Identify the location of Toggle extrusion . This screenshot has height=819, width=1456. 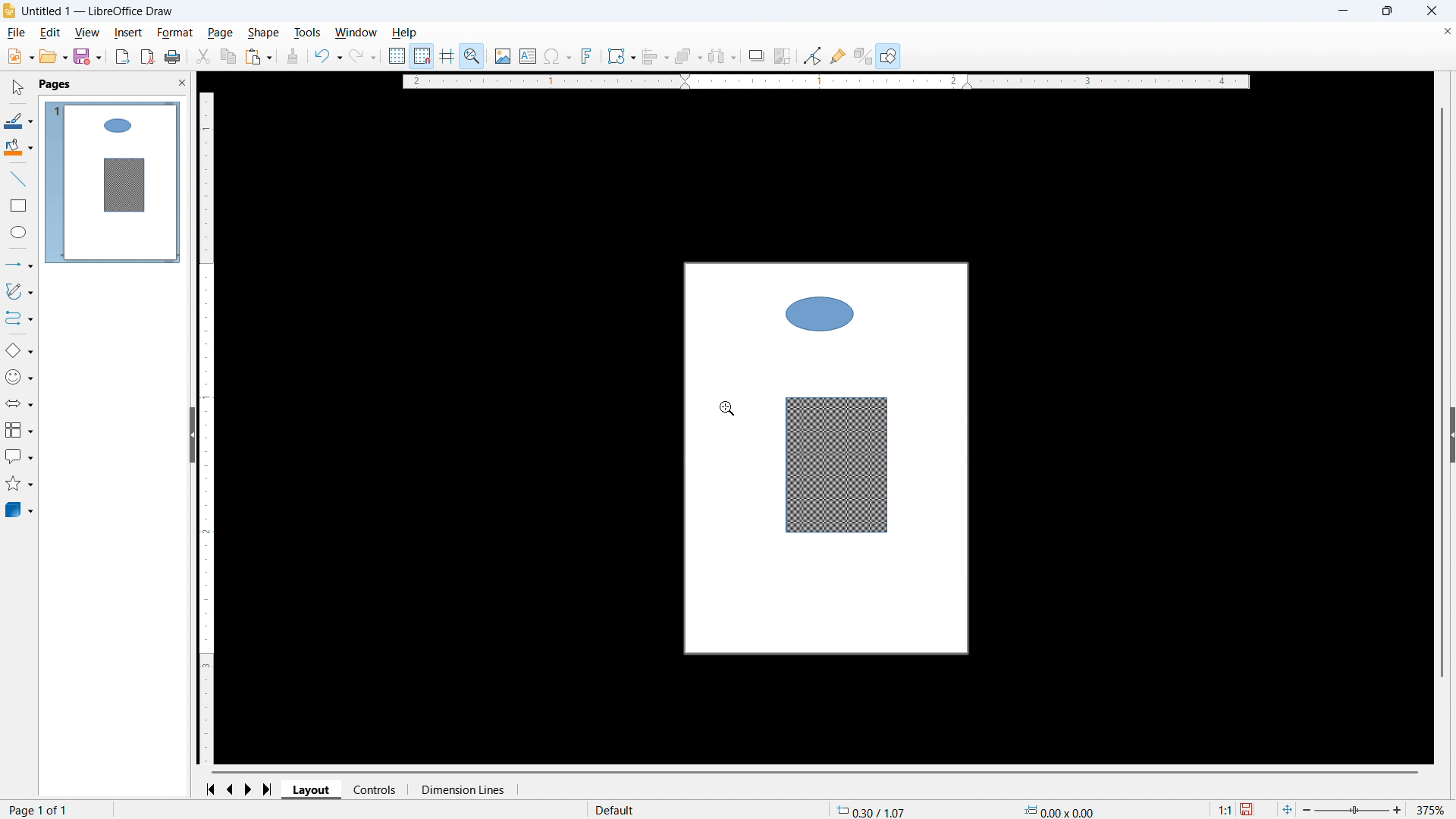
(864, 55).